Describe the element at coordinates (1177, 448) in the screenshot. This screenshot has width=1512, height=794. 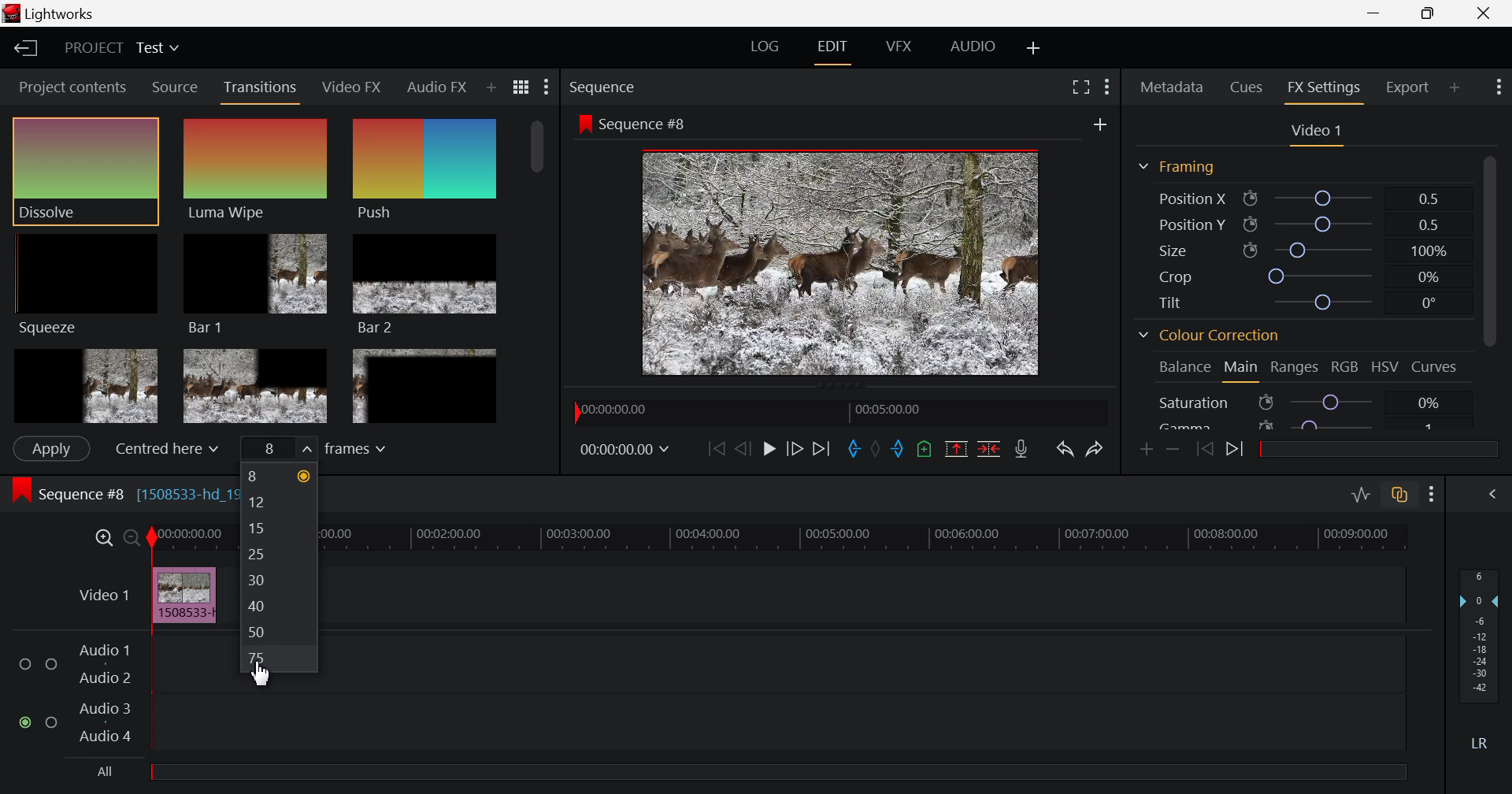
I see `Remove keyframe` at that location.